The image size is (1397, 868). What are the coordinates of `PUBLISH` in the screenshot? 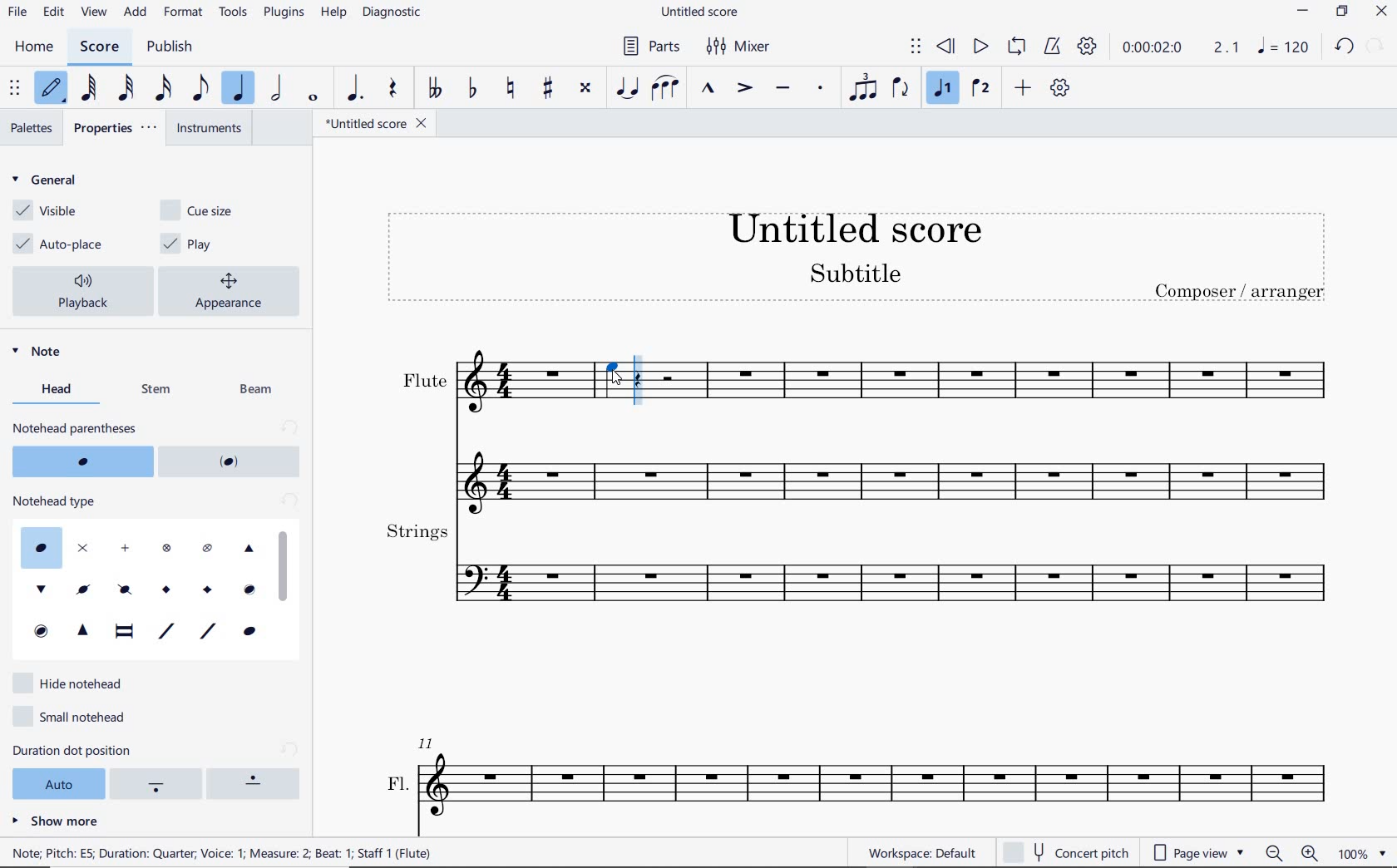 It's located at (170, 47).